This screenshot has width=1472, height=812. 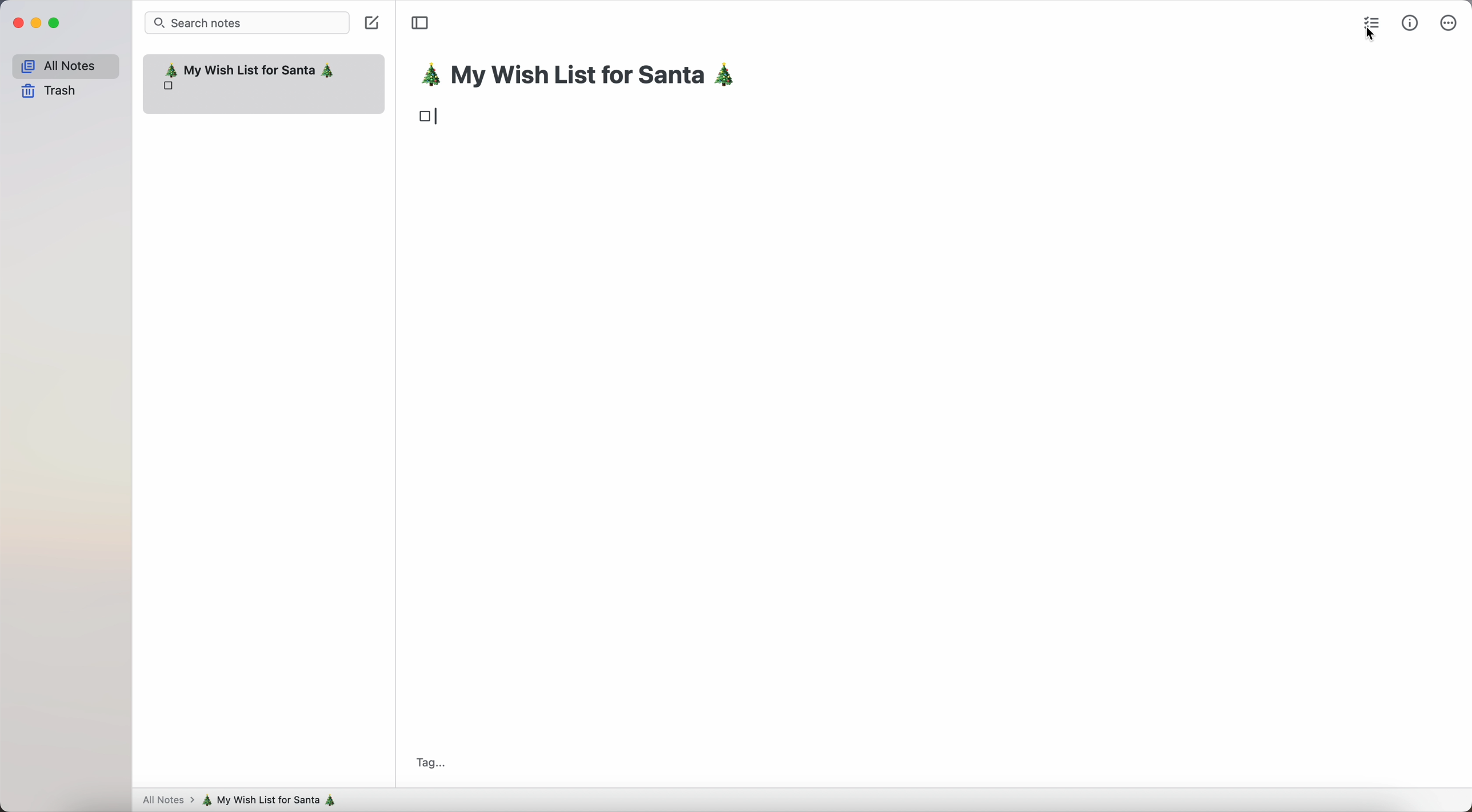 What do you see at coordinates (166, 801) in the screenshot?
I see `all notes` at bounding box center [166, 801].